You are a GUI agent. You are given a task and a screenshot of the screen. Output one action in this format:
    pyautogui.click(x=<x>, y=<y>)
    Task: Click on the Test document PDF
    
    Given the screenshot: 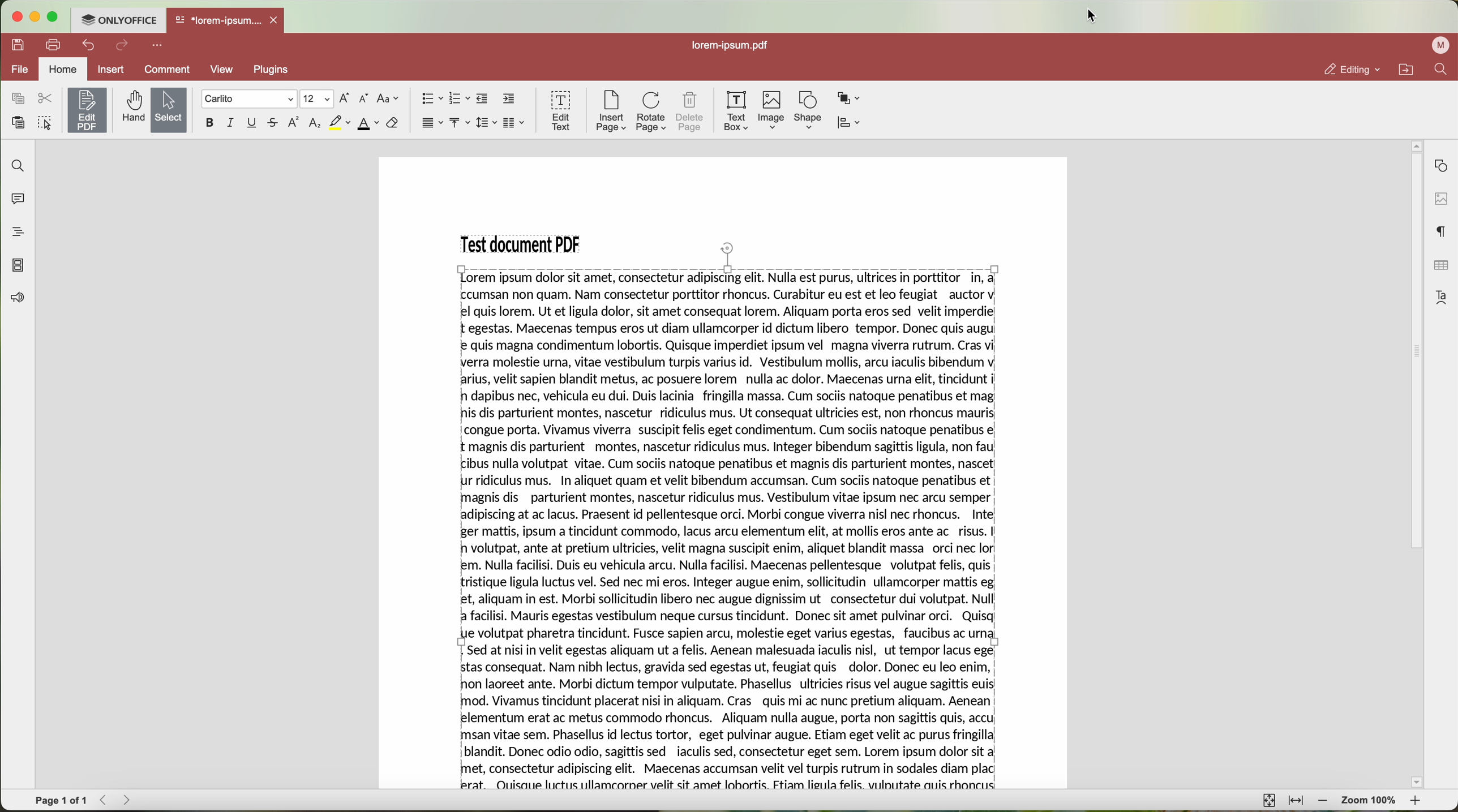 What is the action you would take?
    pyautogui.click(x=525, y=242)
    